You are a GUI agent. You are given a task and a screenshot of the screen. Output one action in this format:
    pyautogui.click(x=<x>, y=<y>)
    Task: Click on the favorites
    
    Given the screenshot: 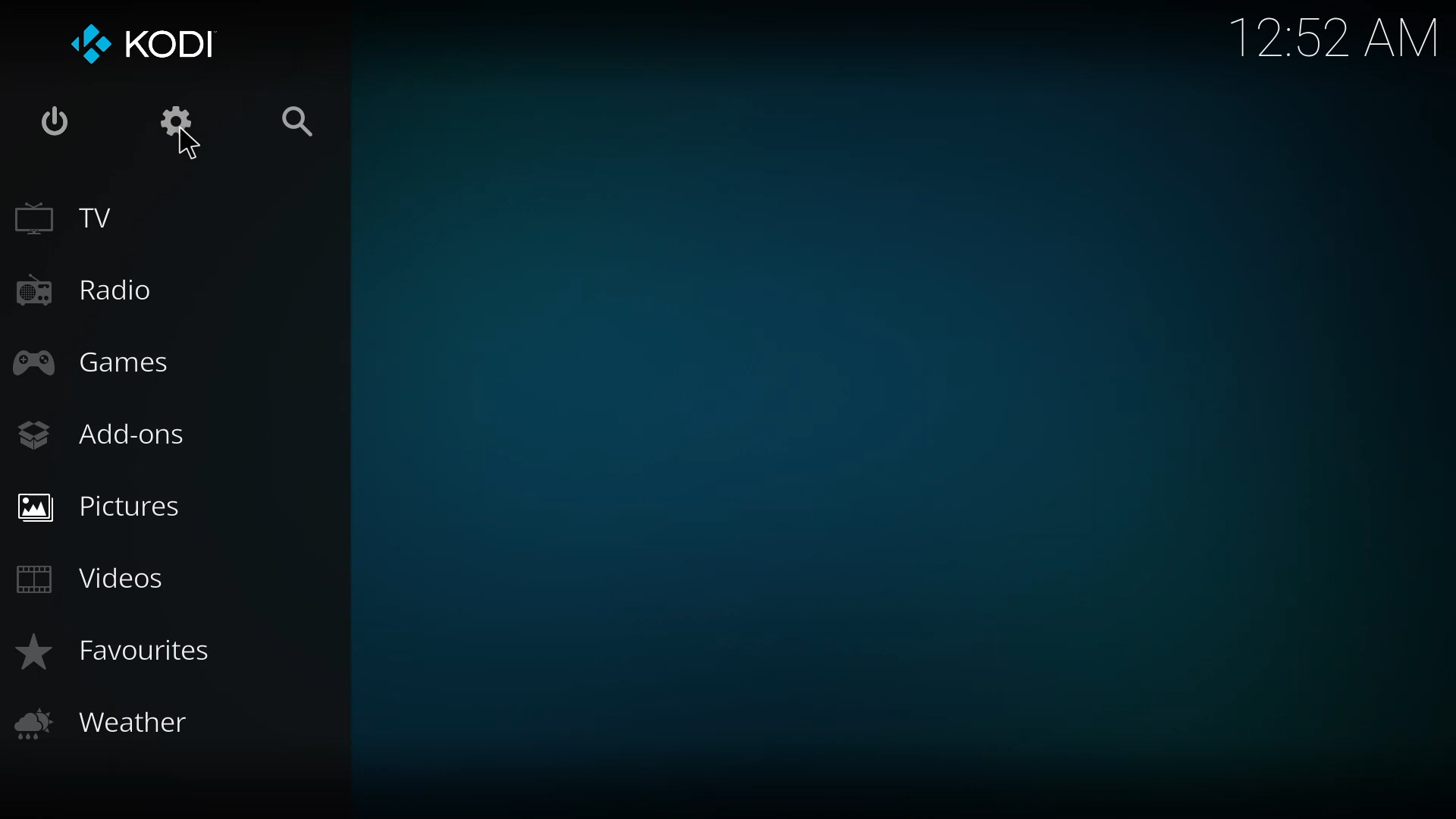 What is the action you would take?
    pyautogui.click(x=129, y=654)
    